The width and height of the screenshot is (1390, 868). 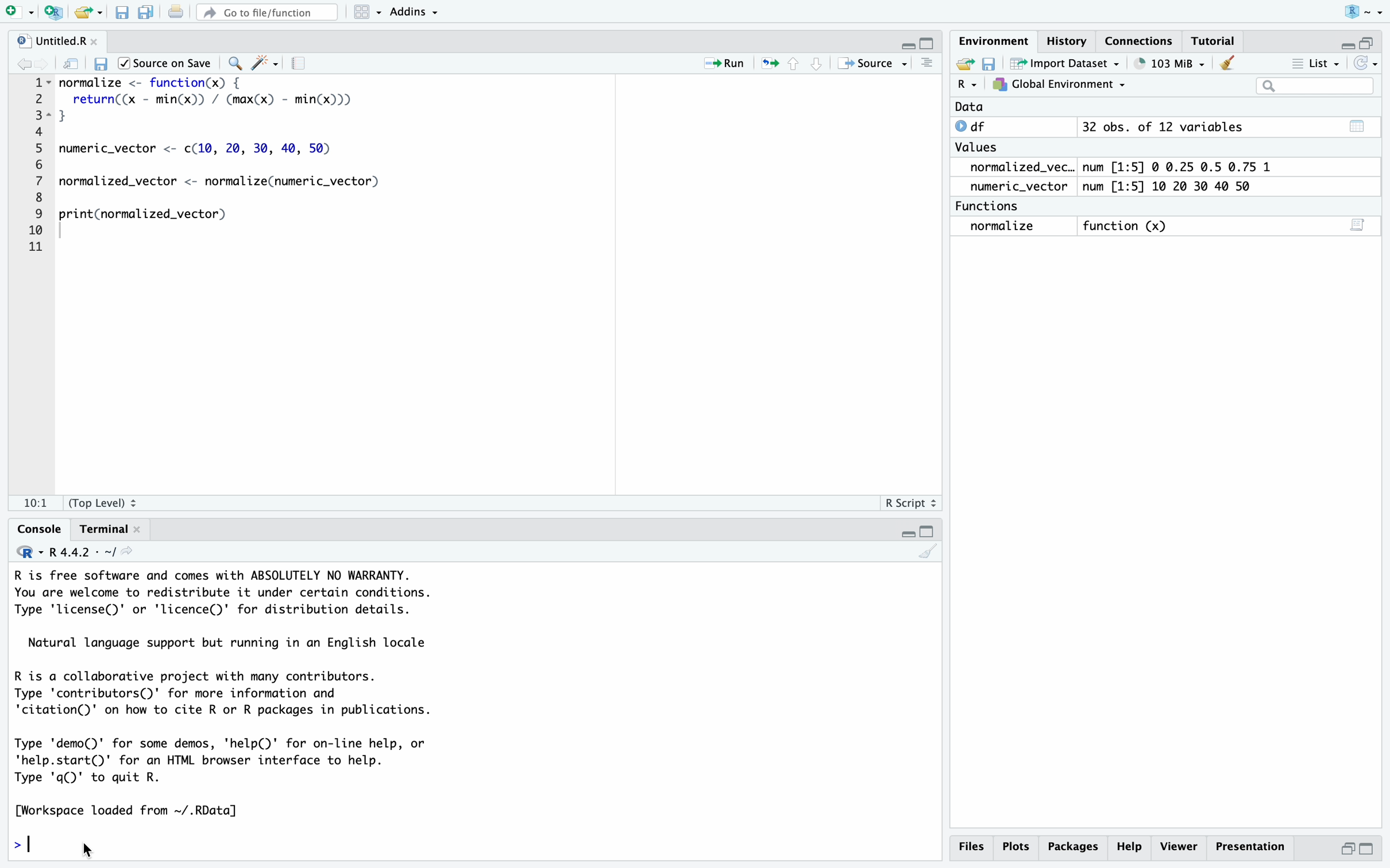 I want to click on Maximize, so click(x=929, y=533).